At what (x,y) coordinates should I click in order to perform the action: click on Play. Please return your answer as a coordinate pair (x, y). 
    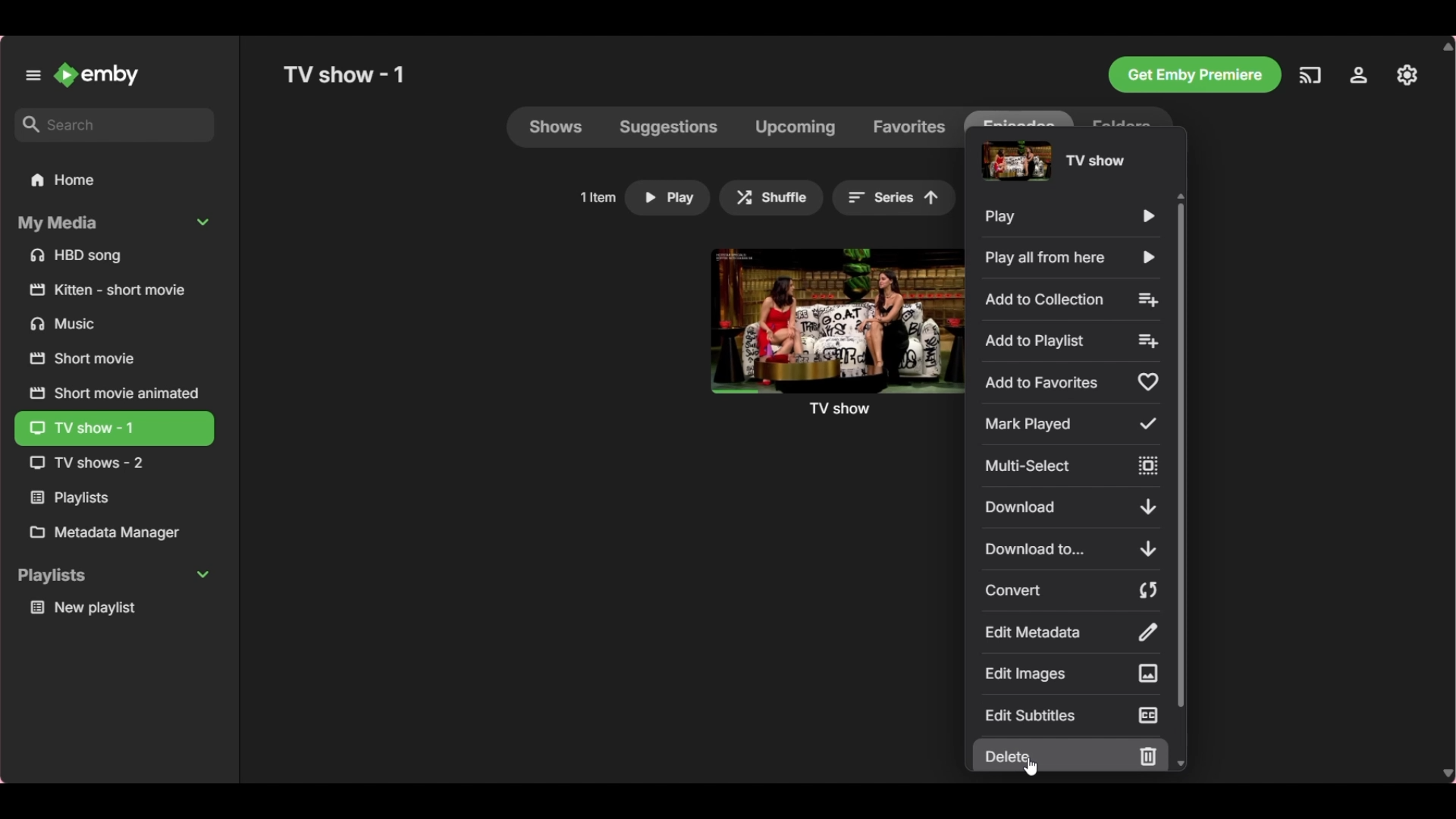
    Looking at the image, I should click on (1069, 217).